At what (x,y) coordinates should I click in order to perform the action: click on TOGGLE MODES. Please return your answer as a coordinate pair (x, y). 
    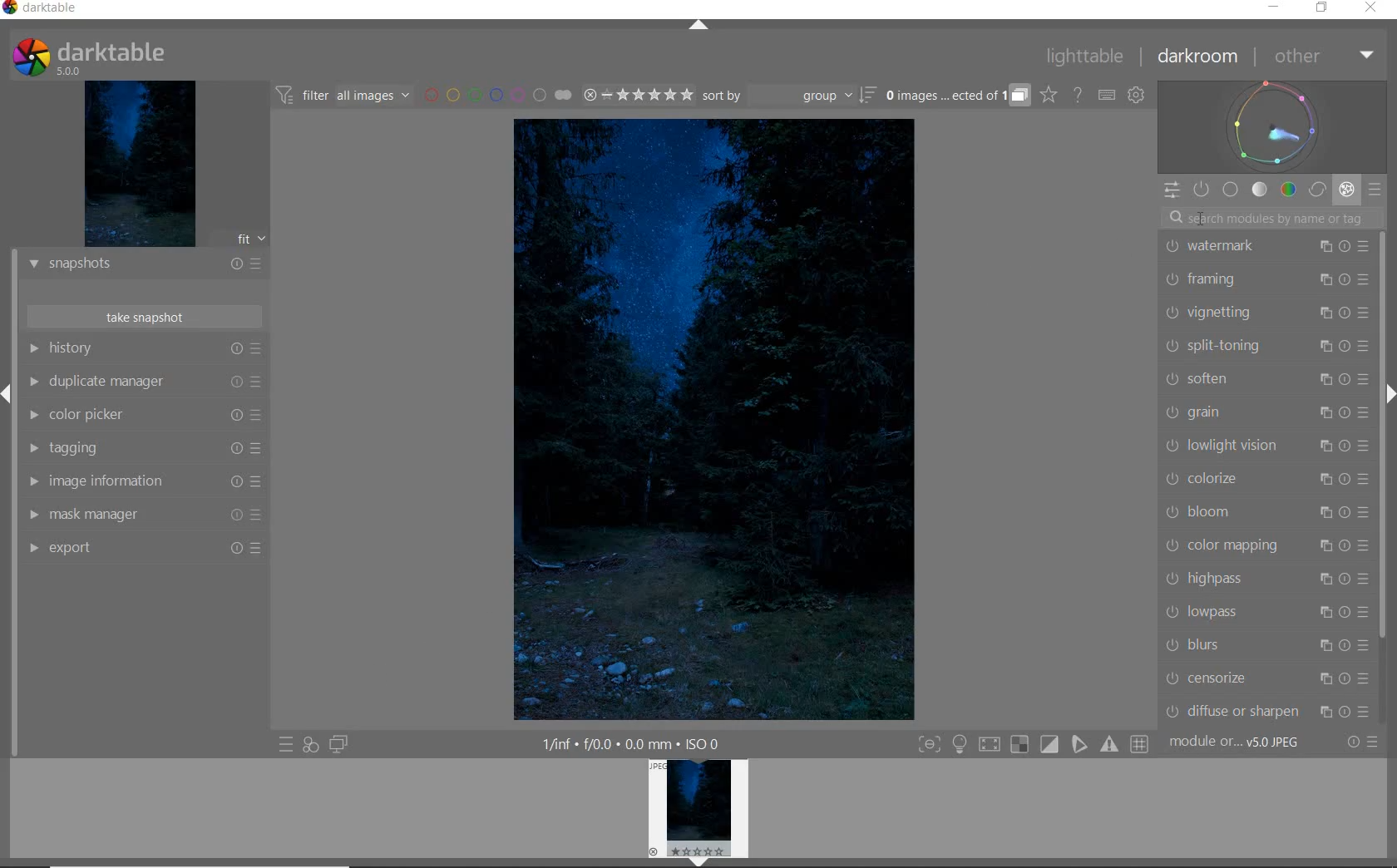
    Looking at the image, I should click on (1033, 744).